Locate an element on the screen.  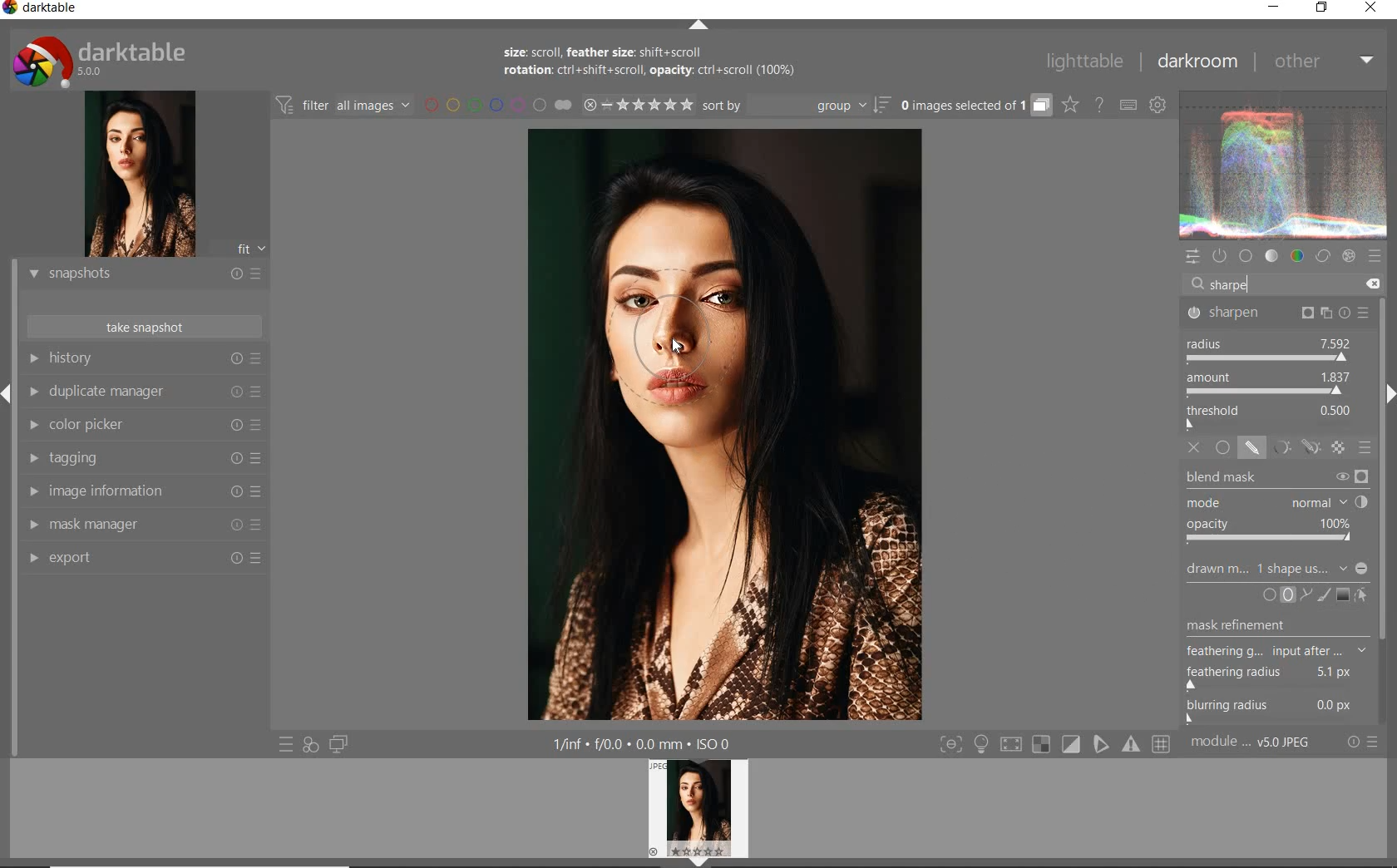
sign  is located at coordinates (1013, 746).